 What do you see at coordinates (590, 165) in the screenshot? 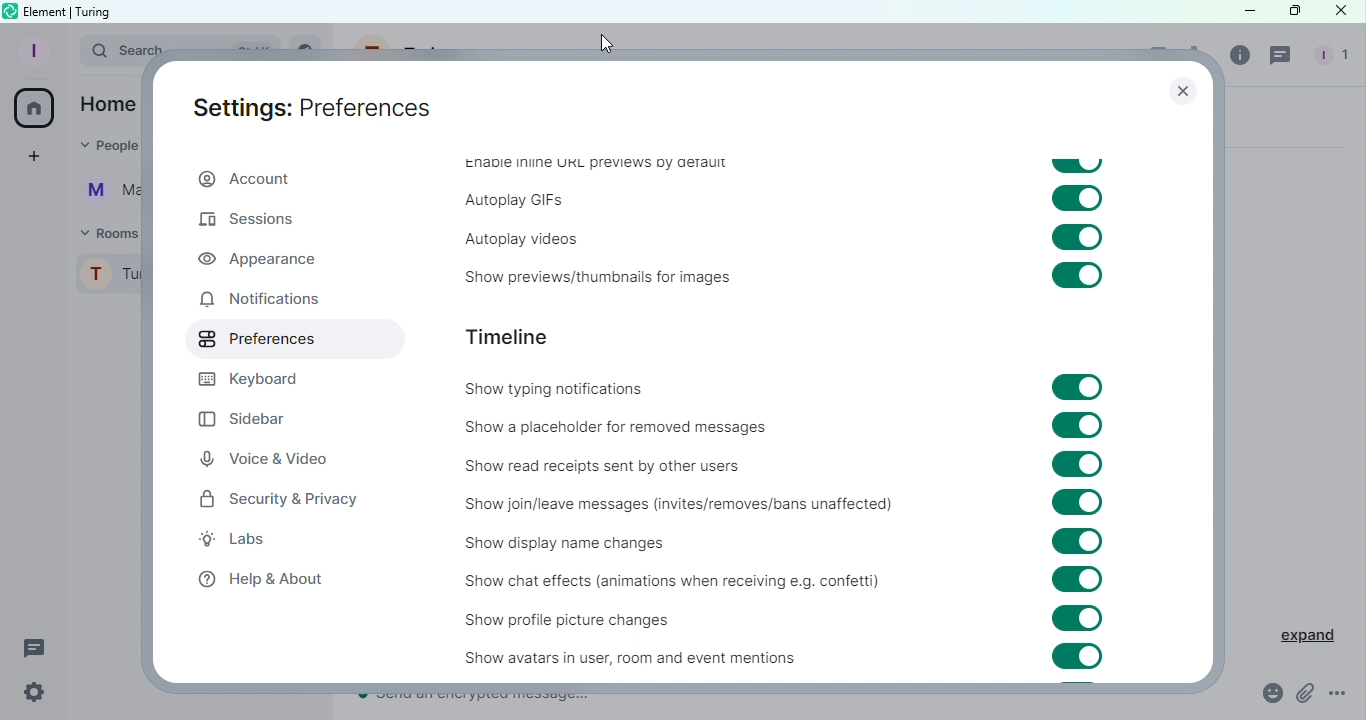
I see `Enable inline URL preview by default` at bounding box center [590, 165].